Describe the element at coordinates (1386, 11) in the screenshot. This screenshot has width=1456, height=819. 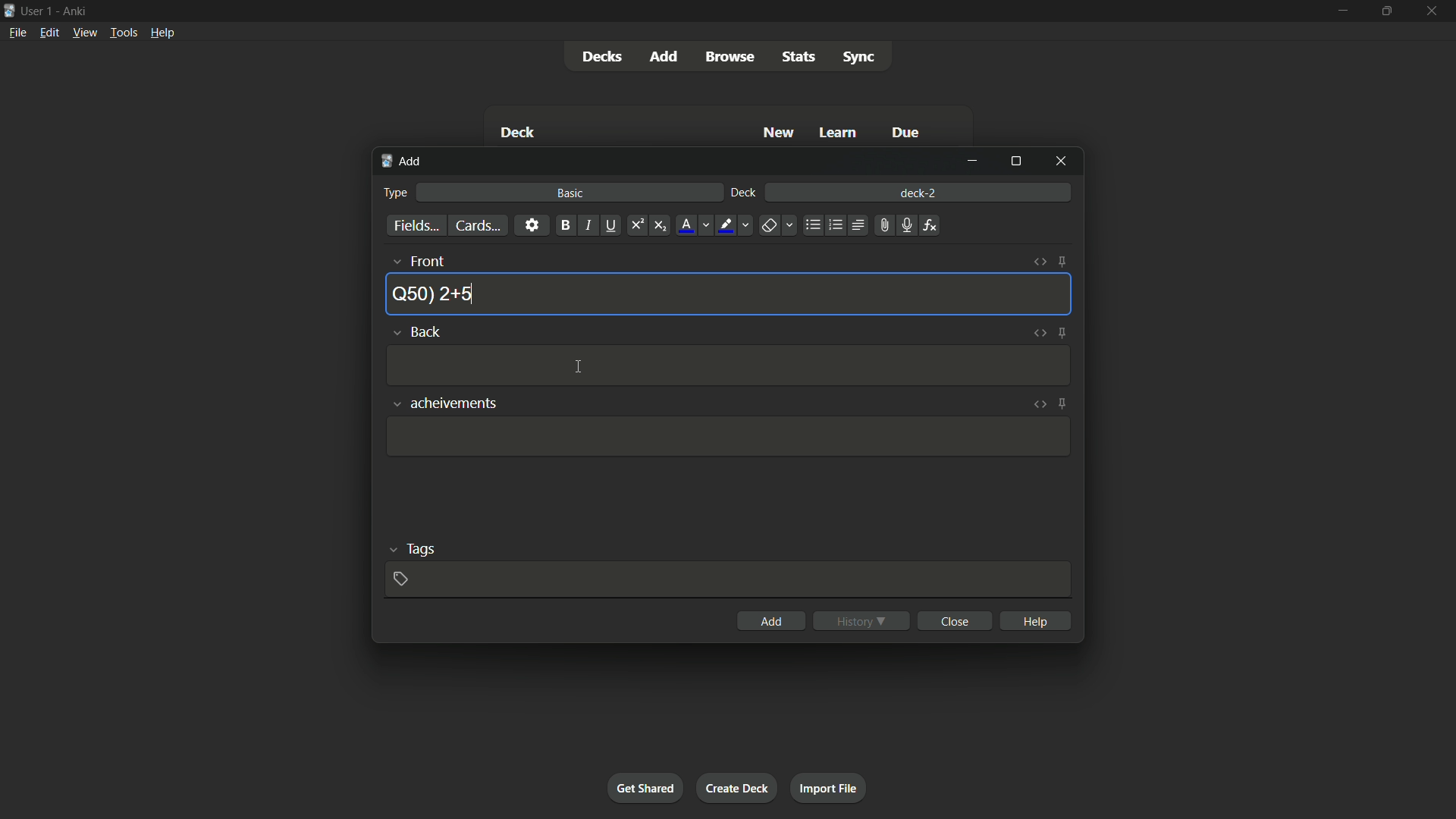
I see `maximize` at that location.